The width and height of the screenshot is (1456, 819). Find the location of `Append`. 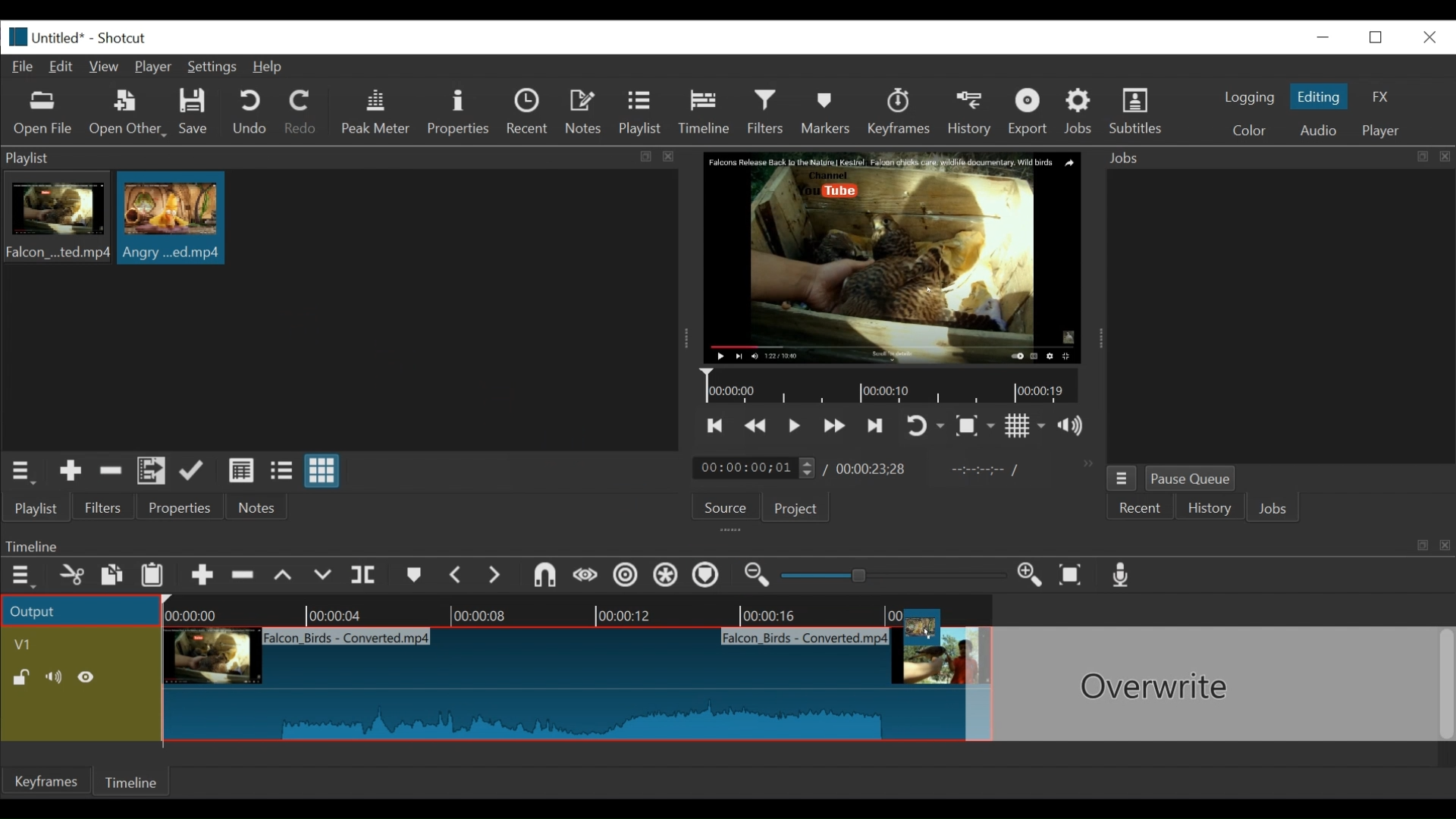

Append is located at coordinates (202, 579).